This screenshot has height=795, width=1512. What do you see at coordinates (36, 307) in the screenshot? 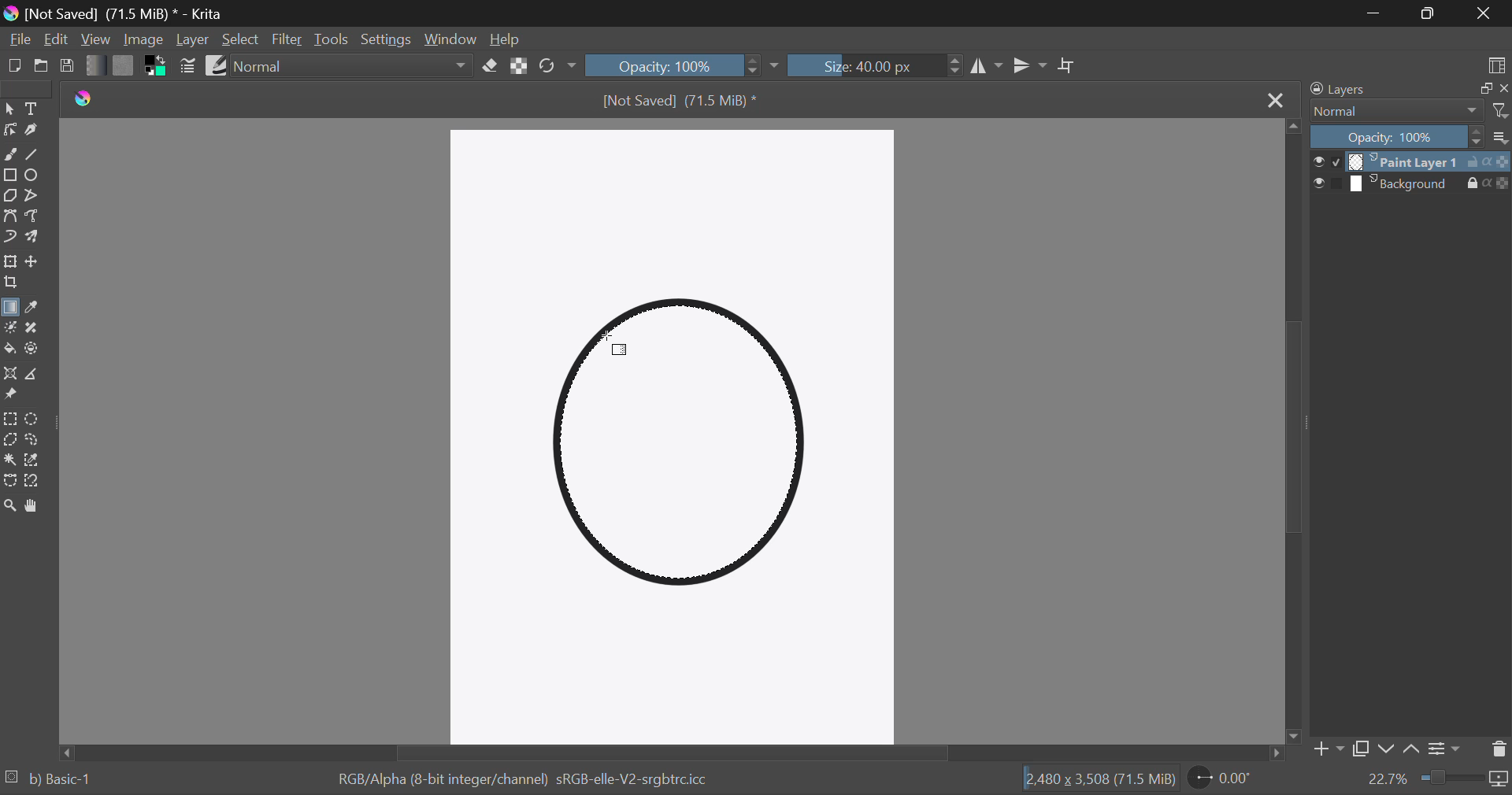
I see `Eyedropper` at bounding box center [36, 307].